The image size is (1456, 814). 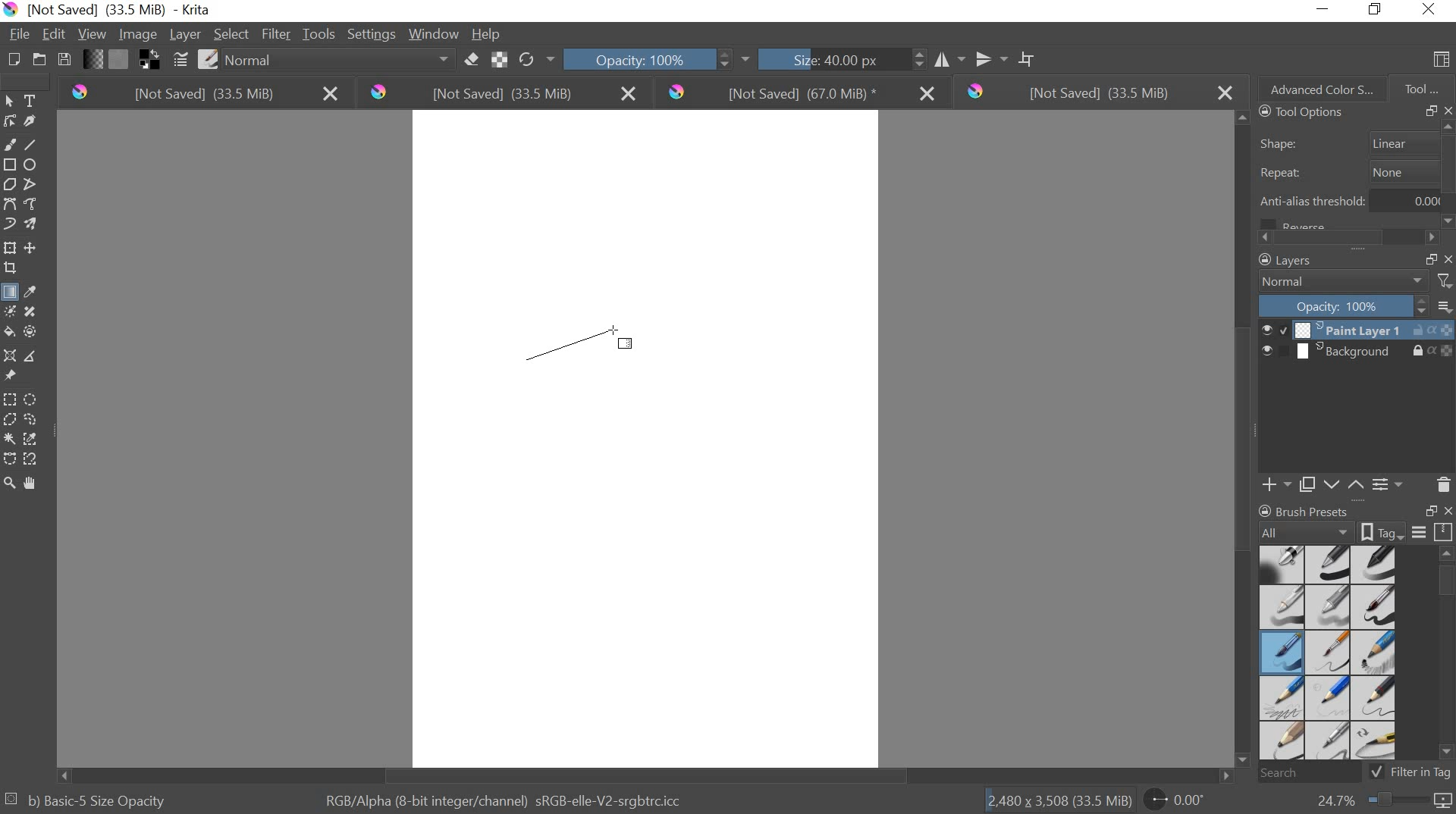 I want to click on pan, so click(x=36, y=481).